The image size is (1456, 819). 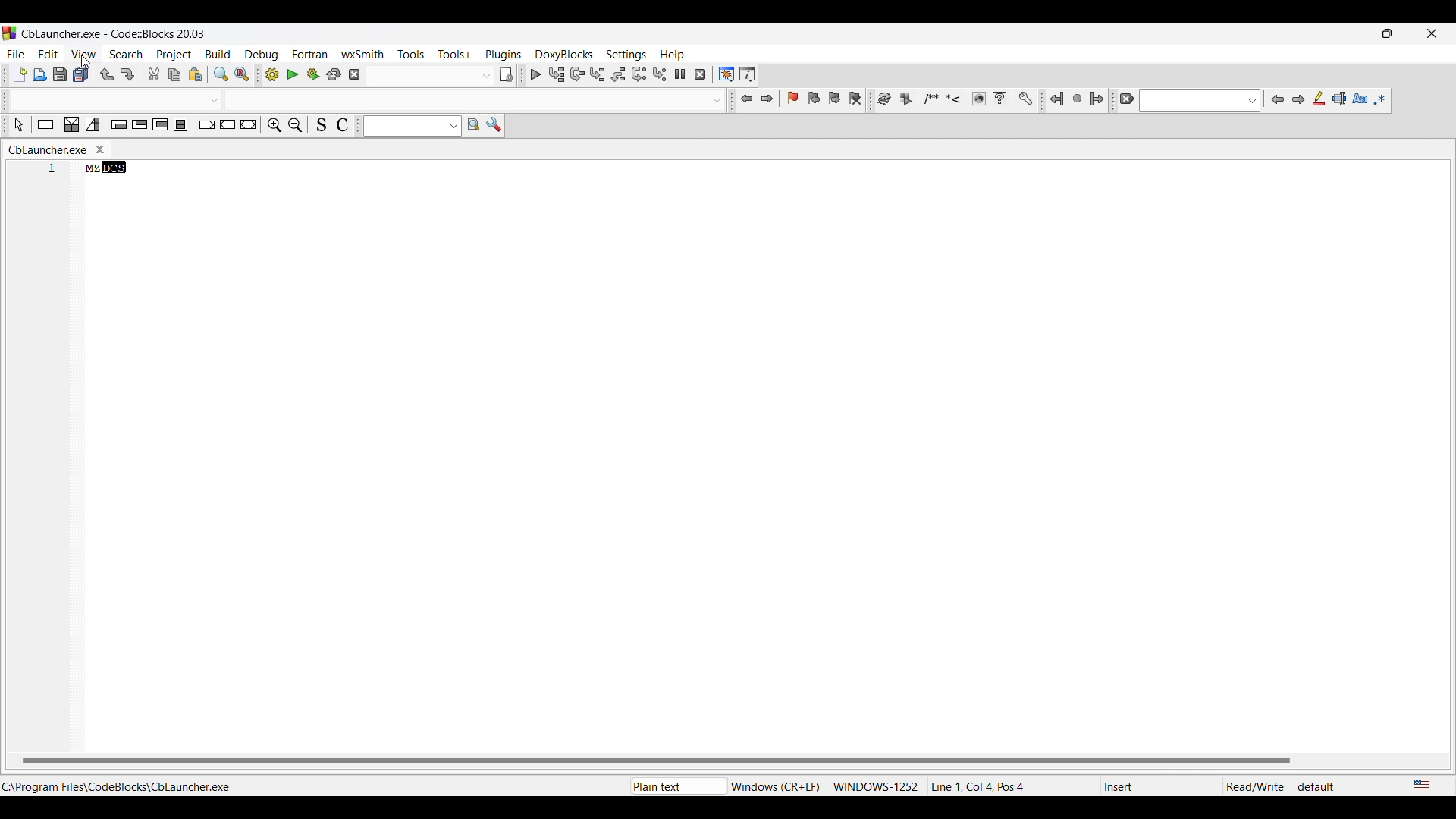 What do you see at coordinates (45, 124) in the screenshot?
I see `Instruction` at bounding box center [45, 124].